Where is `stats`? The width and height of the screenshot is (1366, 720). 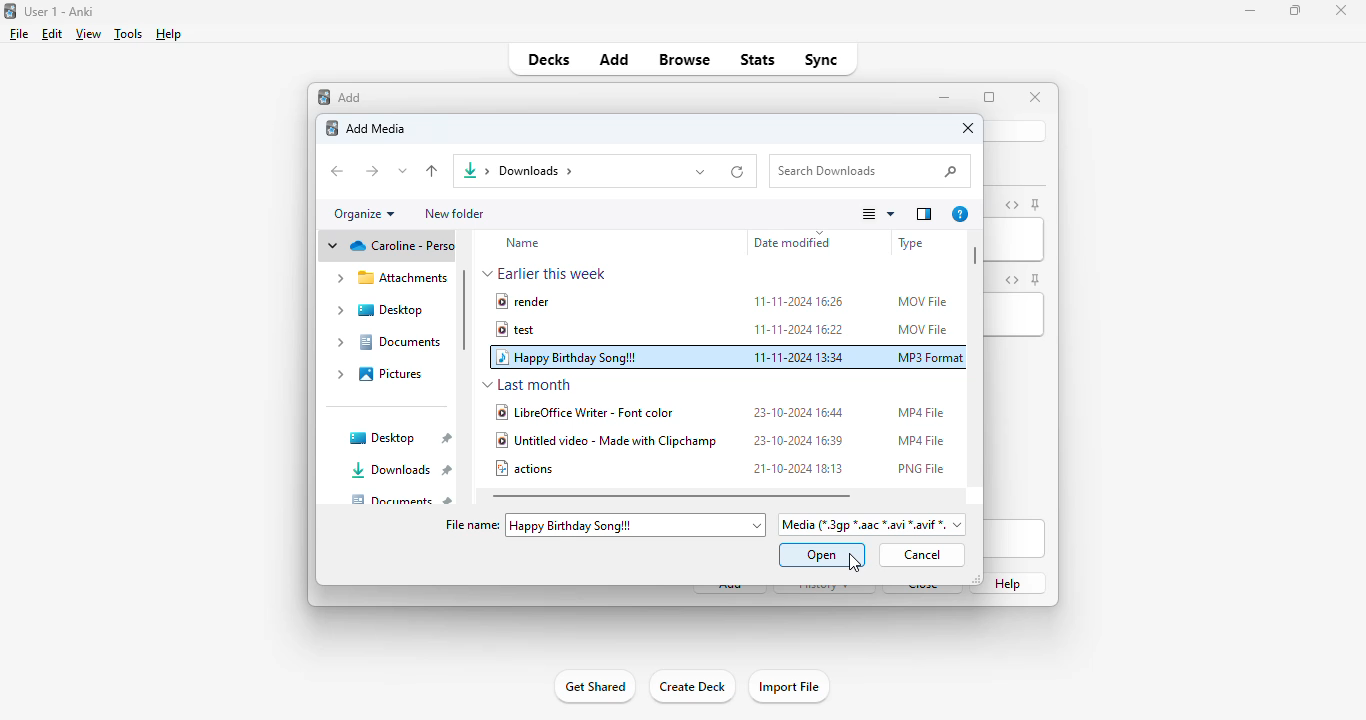
stats is located at coordinates (757, 60).